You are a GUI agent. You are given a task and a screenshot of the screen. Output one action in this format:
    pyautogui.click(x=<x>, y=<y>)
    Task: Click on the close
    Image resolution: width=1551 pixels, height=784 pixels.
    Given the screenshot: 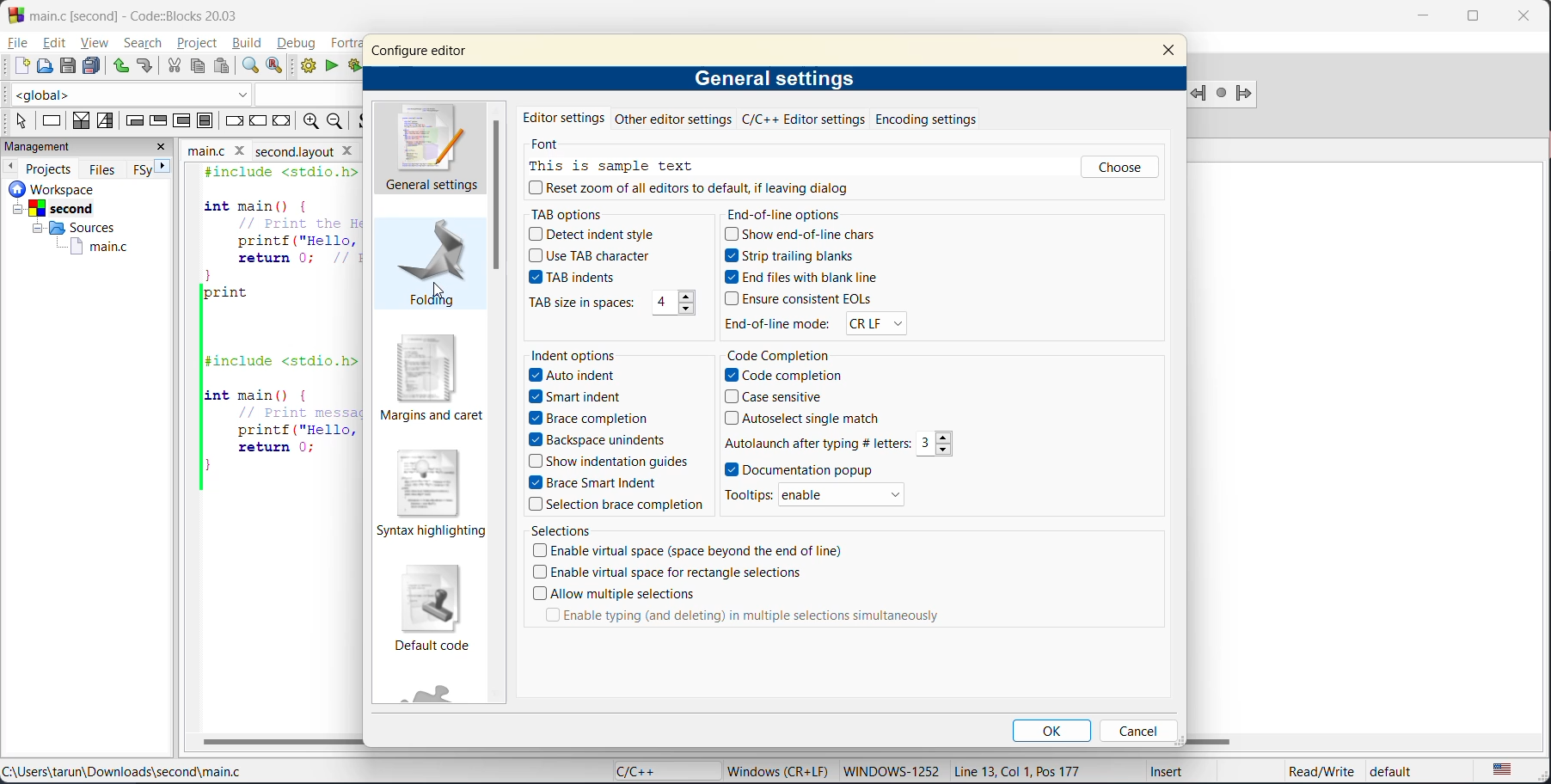 What is the action you would take?
    pyautogui.click(x=165, y=147)
    